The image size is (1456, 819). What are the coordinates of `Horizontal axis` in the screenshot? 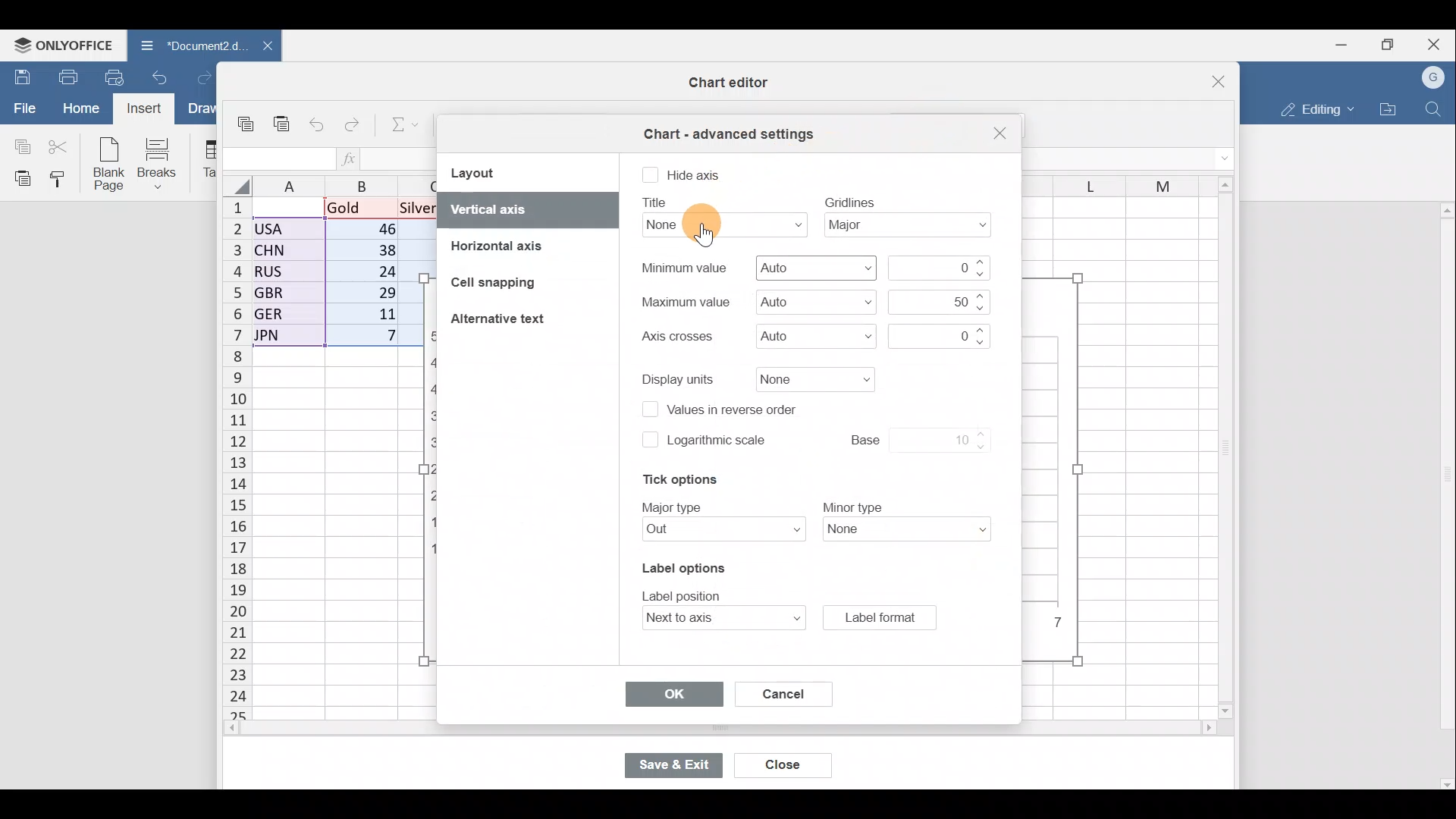 It's located at (504, 243).